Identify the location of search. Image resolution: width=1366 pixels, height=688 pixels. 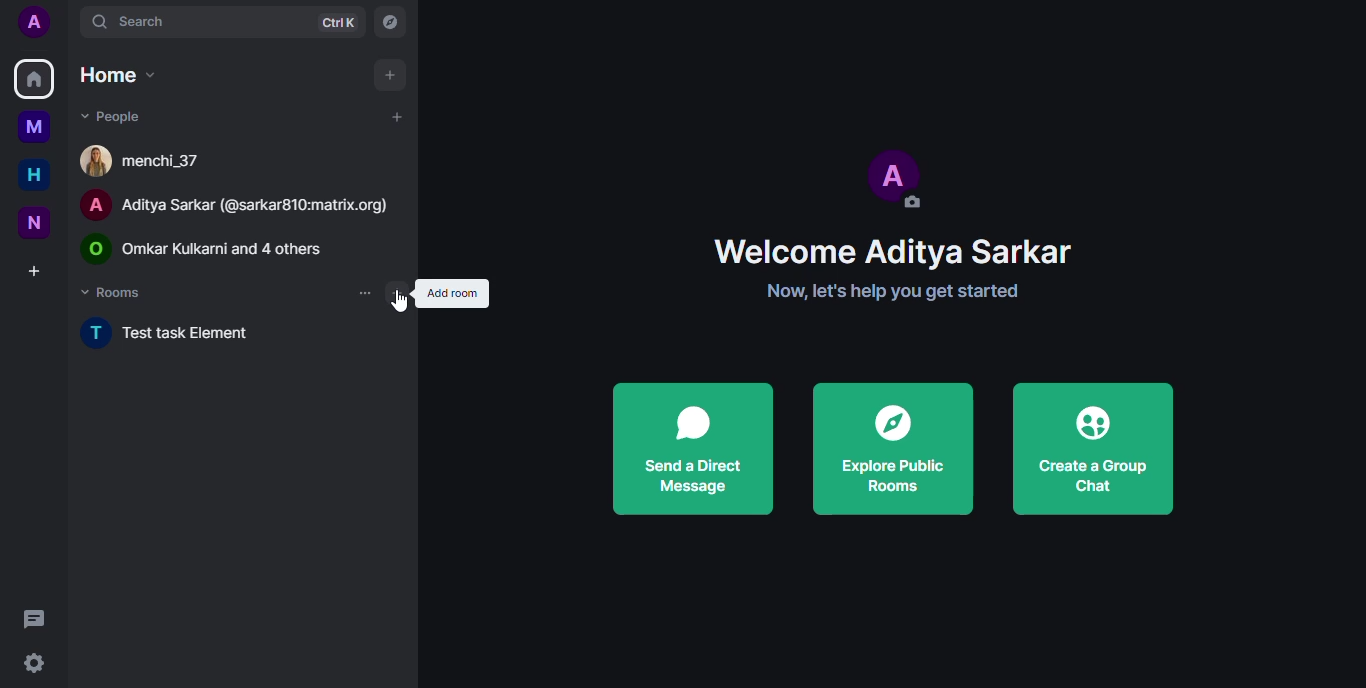
(133, 23).